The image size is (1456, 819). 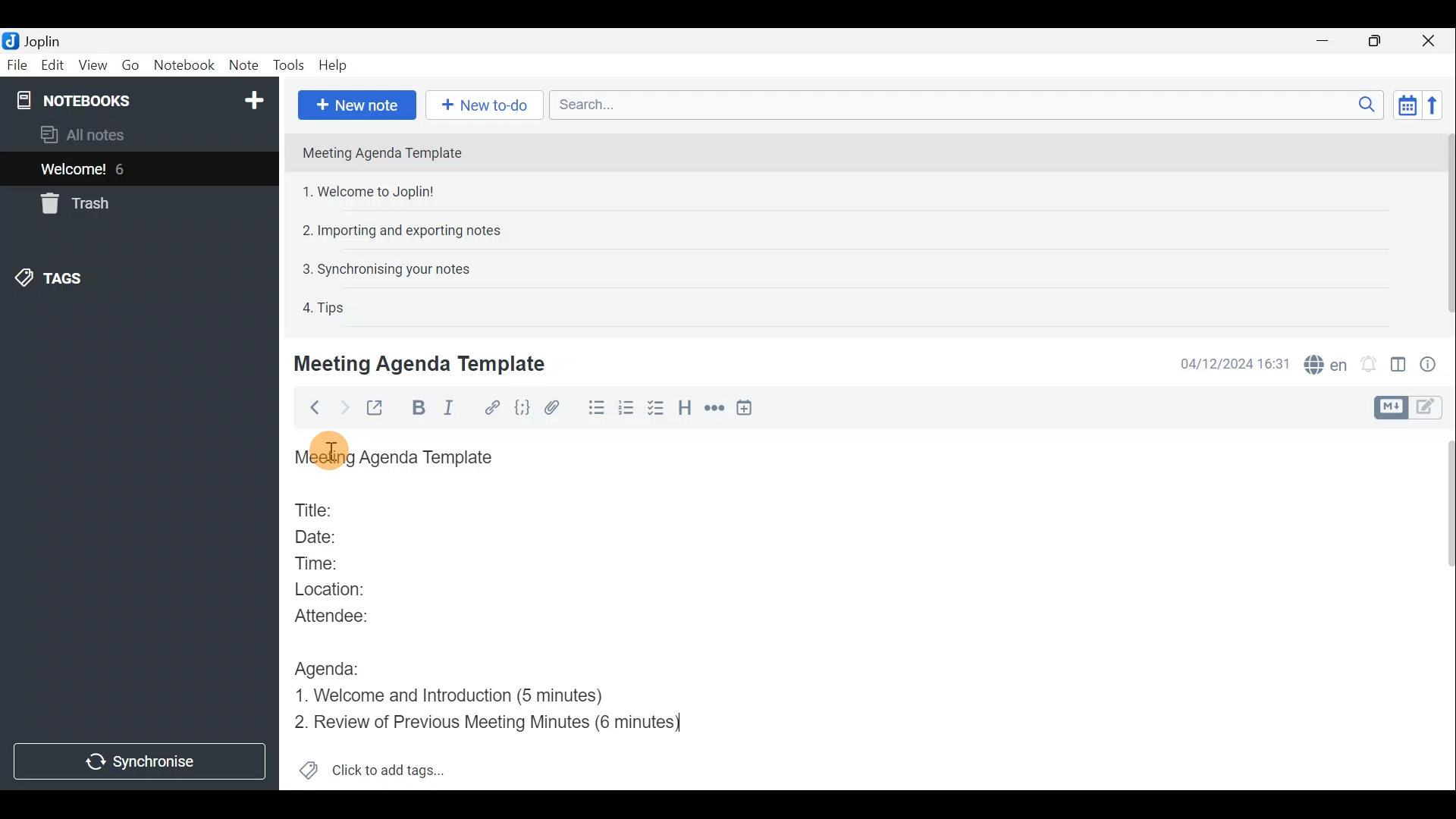 I want to click on Horizontal rule, so click(x=716, y=411).